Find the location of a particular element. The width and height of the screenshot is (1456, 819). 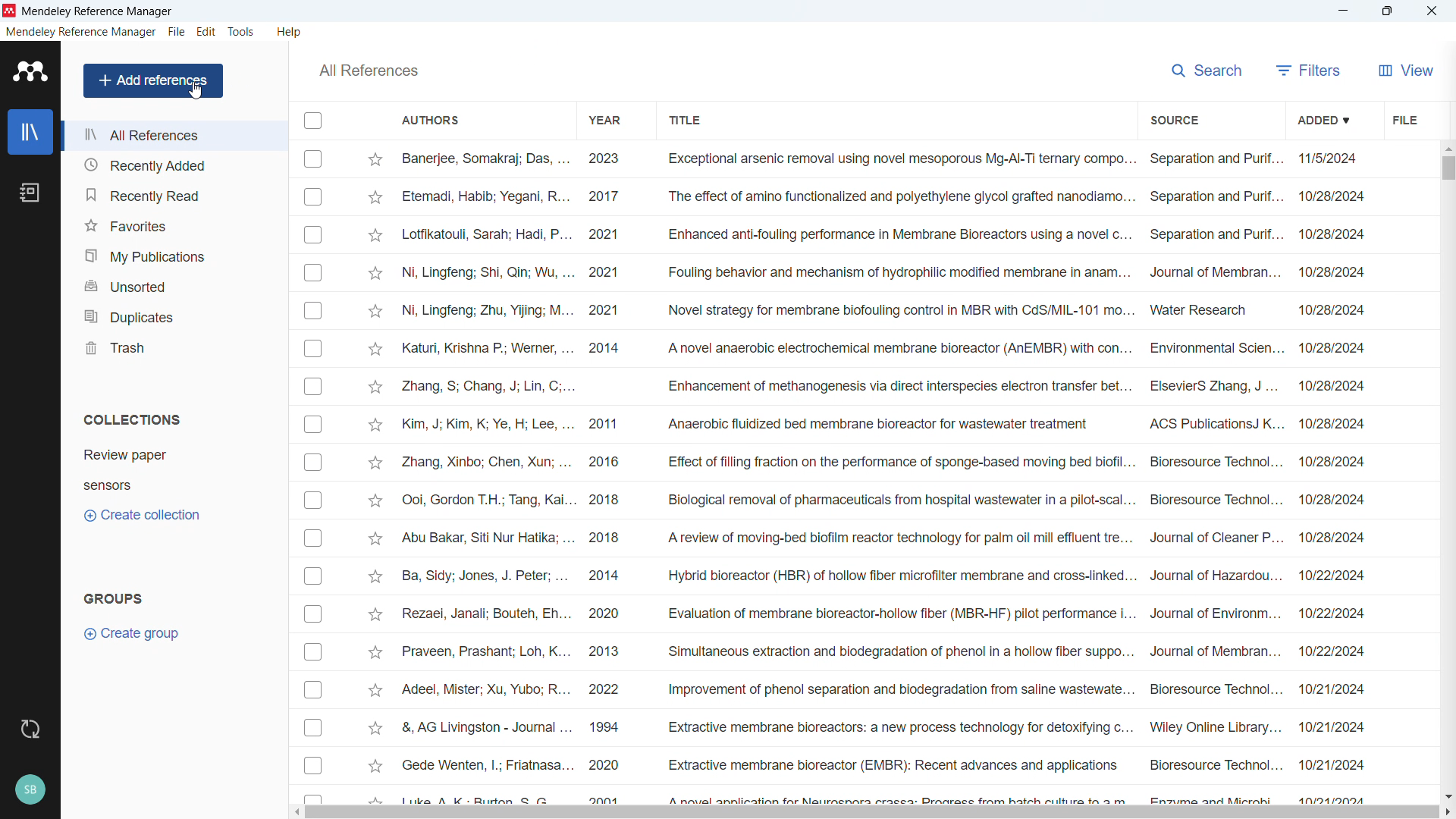

minimise  is located at coordinates (1344, 11).